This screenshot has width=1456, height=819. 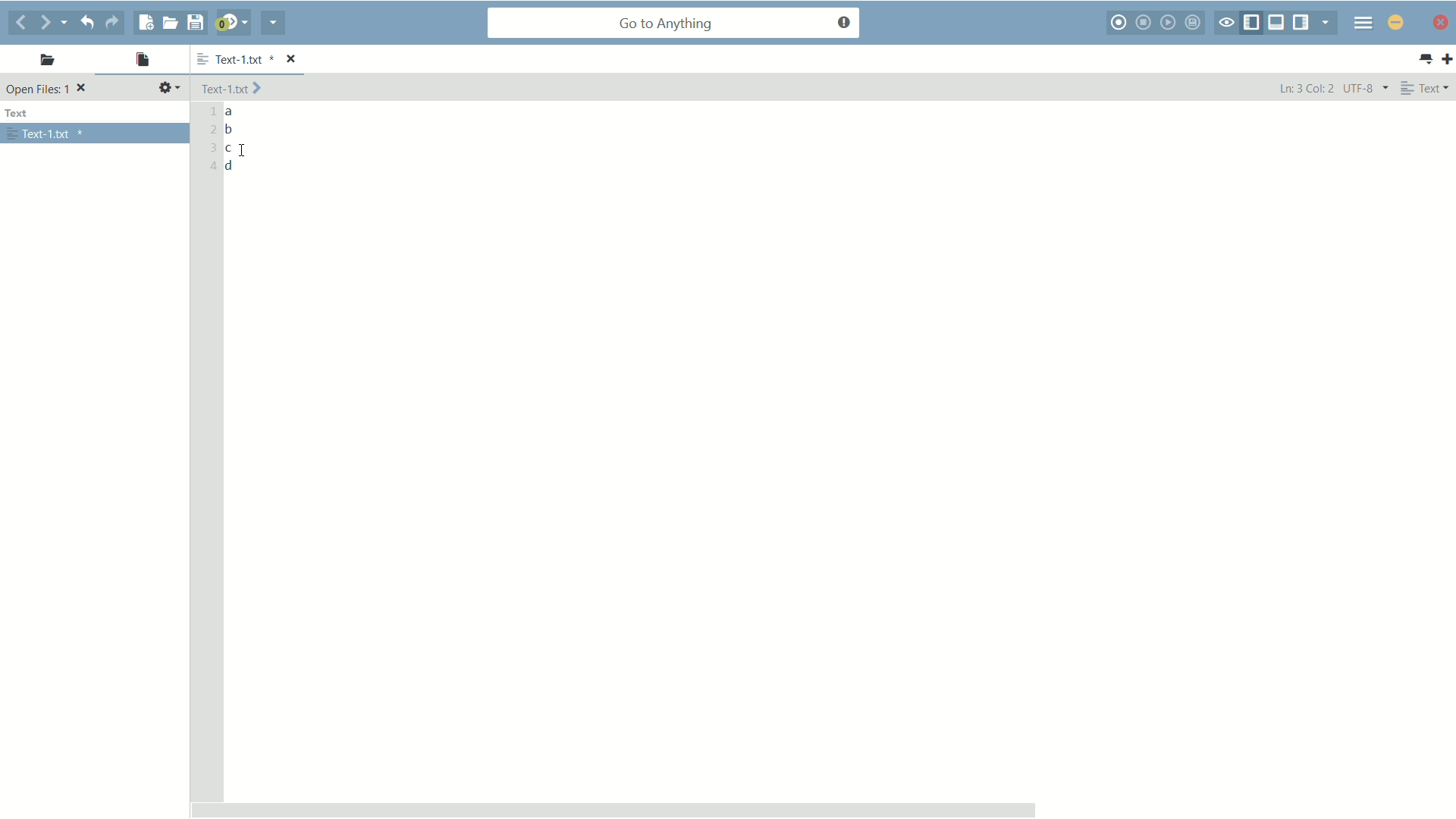 I want to click on Text-1.txt *, so click(x=46, y=134).